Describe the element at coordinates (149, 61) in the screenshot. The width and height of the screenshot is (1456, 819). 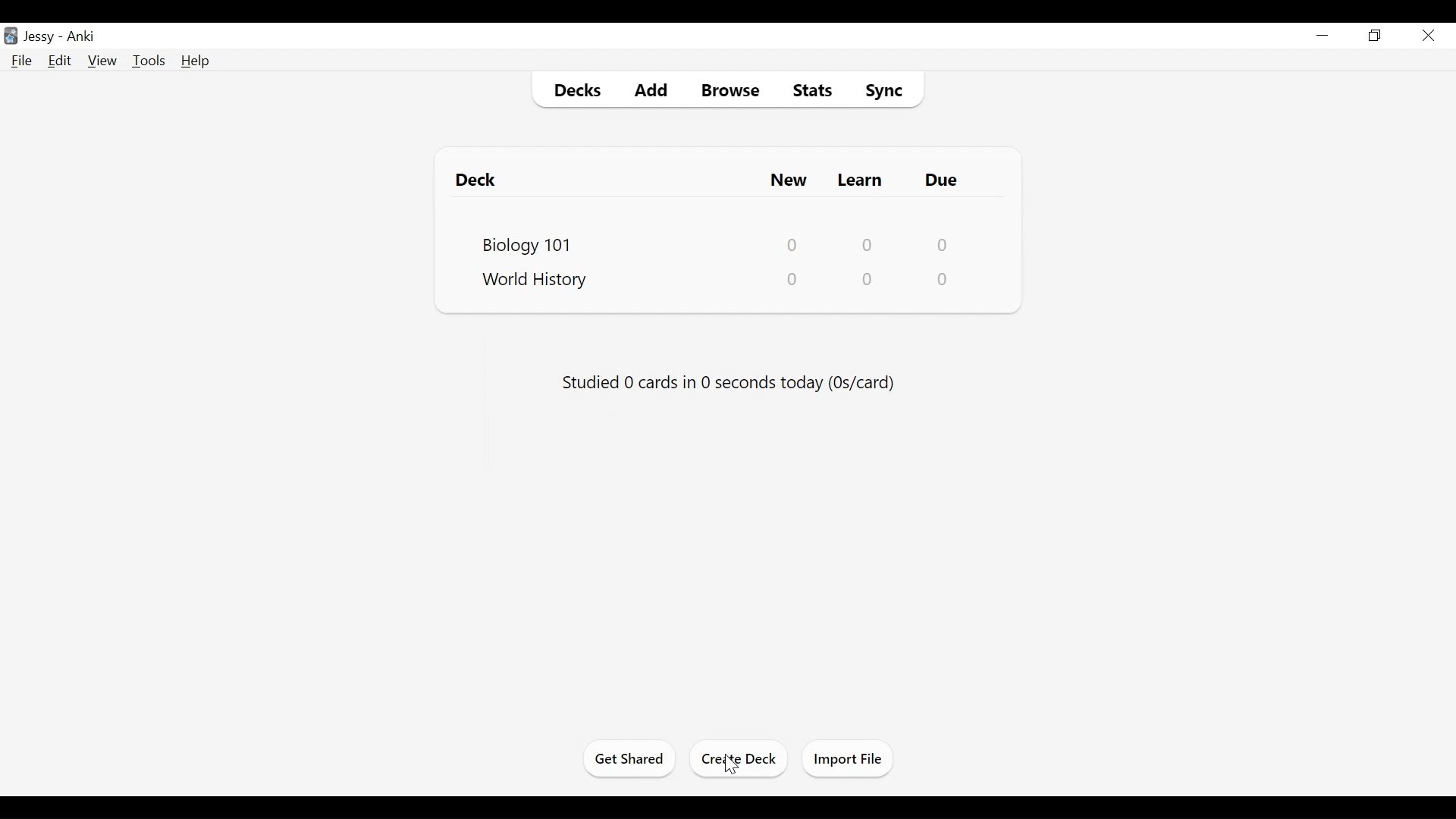
I see `Tools` at that location.